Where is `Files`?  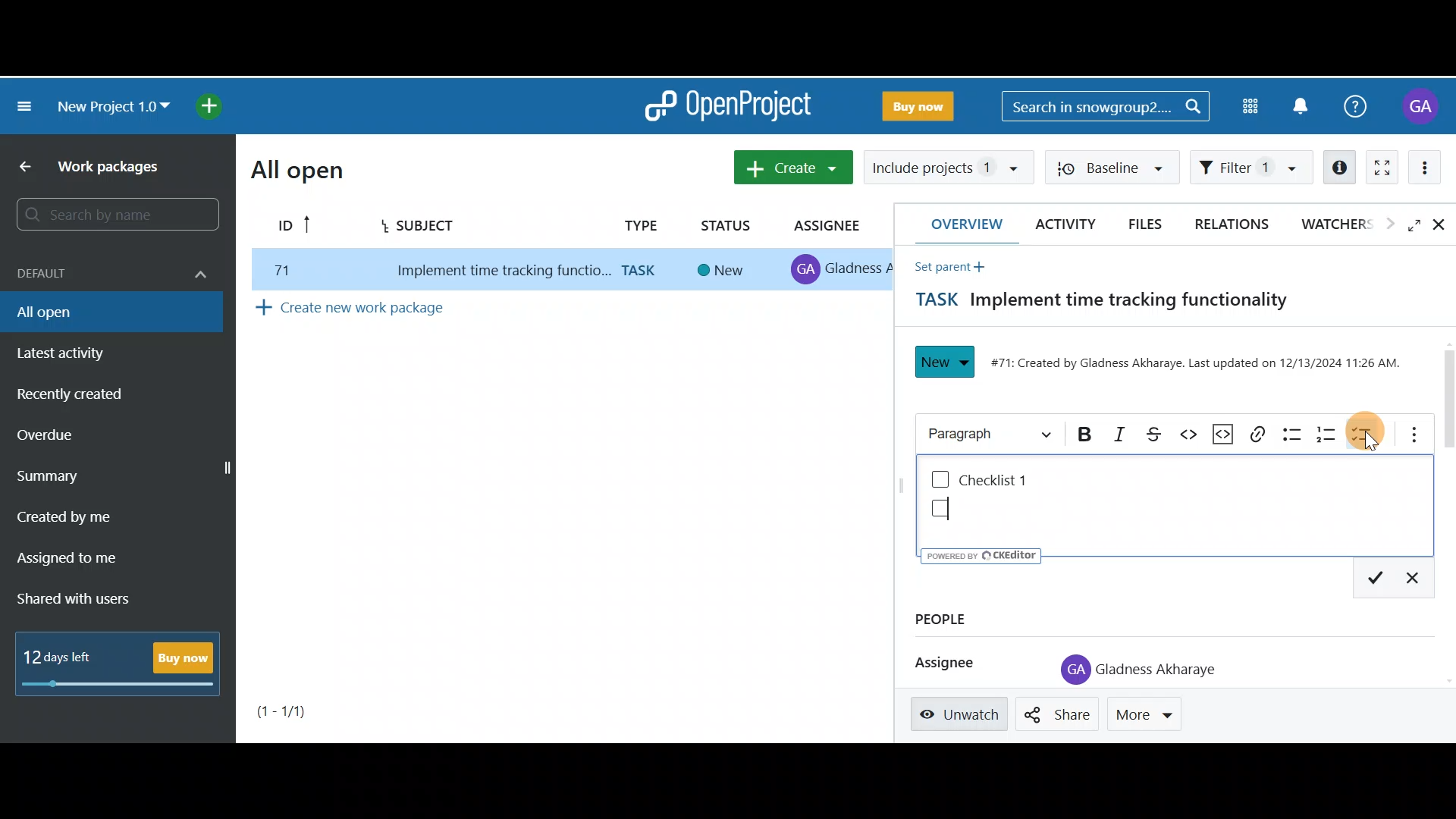 Files is located at coordinates (1150, 224).